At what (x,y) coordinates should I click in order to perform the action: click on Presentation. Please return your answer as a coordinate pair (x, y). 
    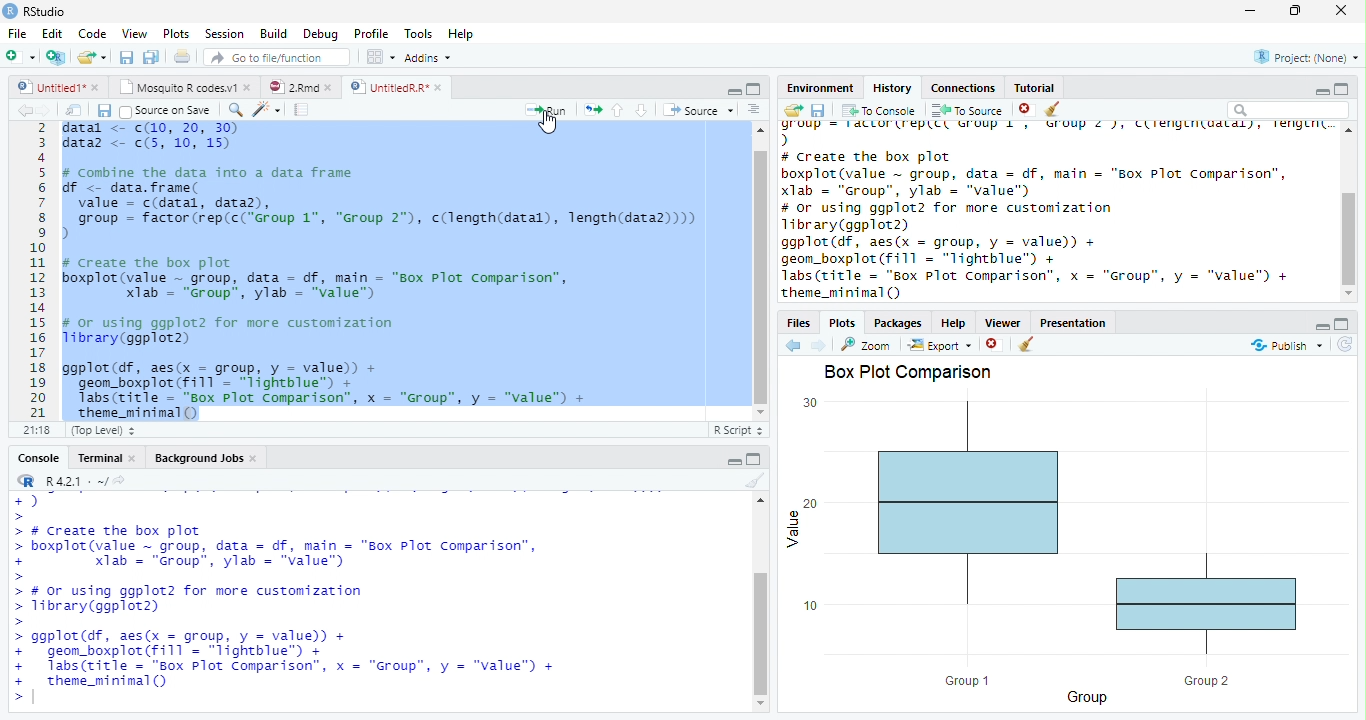
    Looking at the image, I should click on (1072, 323).